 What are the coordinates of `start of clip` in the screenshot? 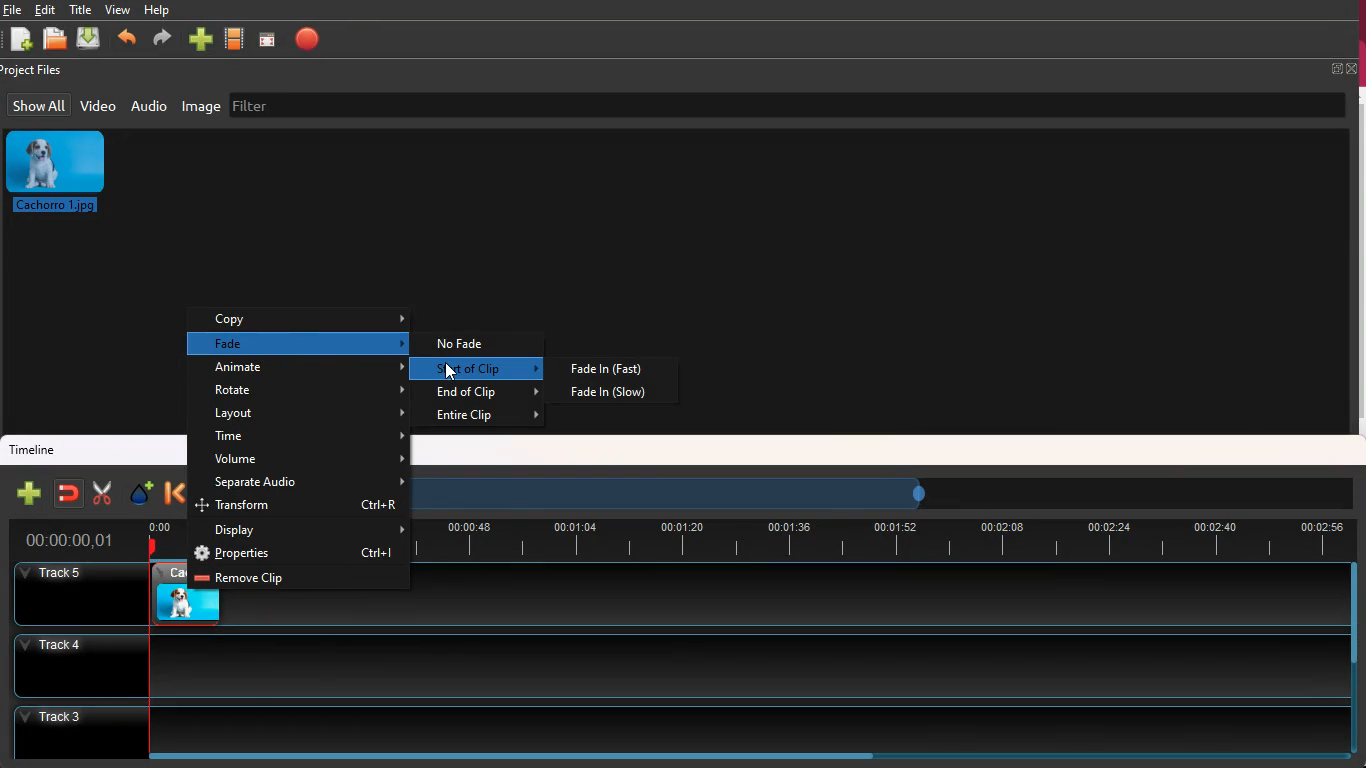 It's located at (488, 369).